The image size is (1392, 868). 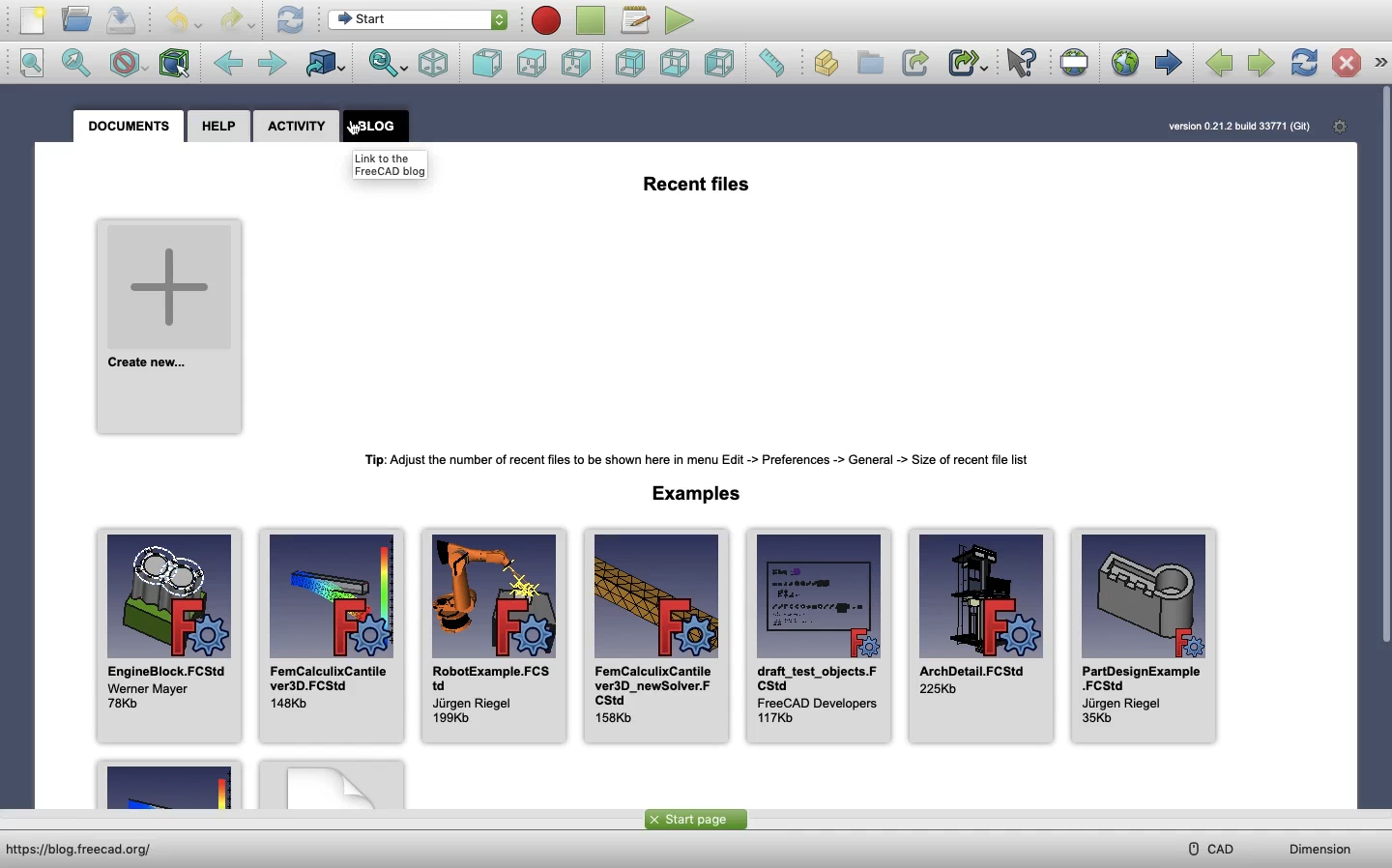 What do you see at coordinates (826, 63) in the screenshot?
I see ` Create Part` at bounding box center [826, 63].